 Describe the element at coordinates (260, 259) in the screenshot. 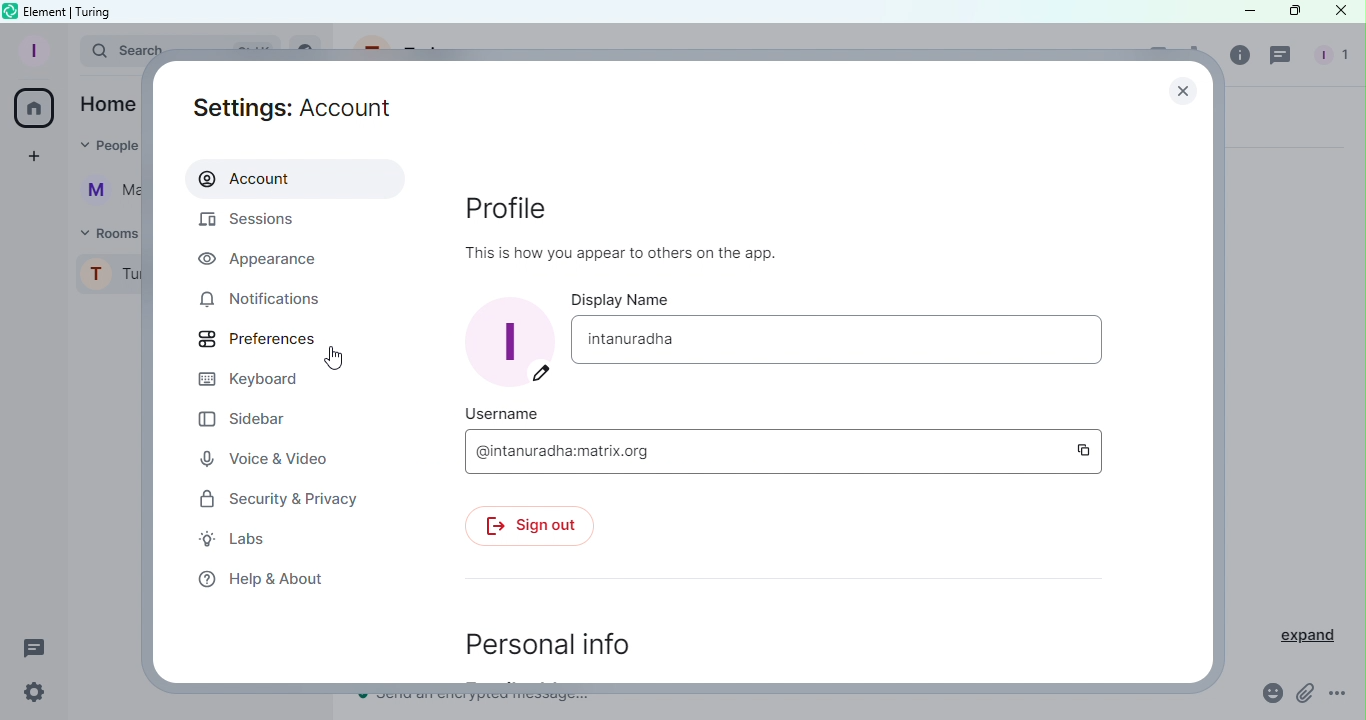

I see `Appearance` at that location.